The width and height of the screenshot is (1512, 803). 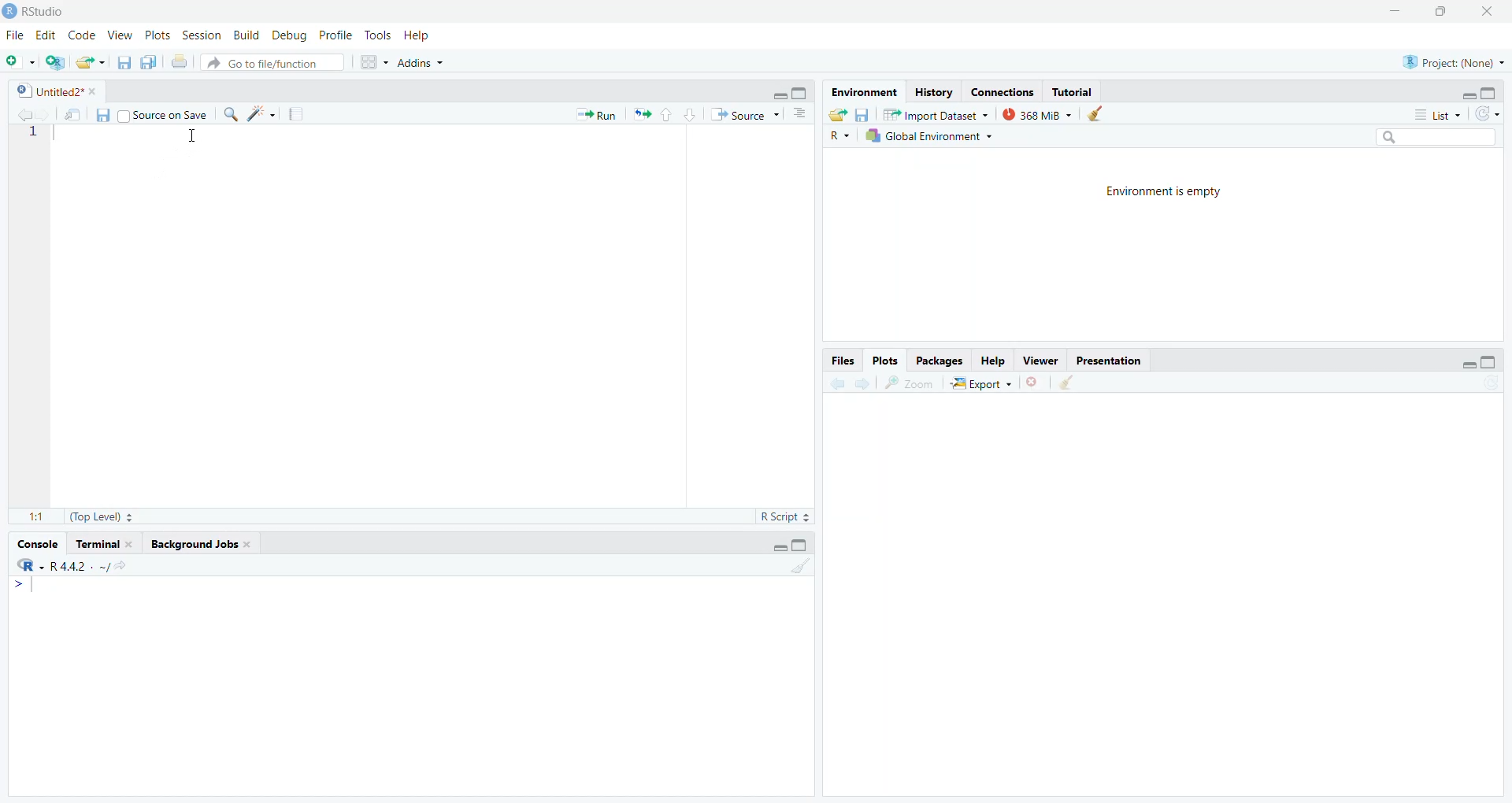 I want to click on “* Source ~, so click(x=750, y=115).